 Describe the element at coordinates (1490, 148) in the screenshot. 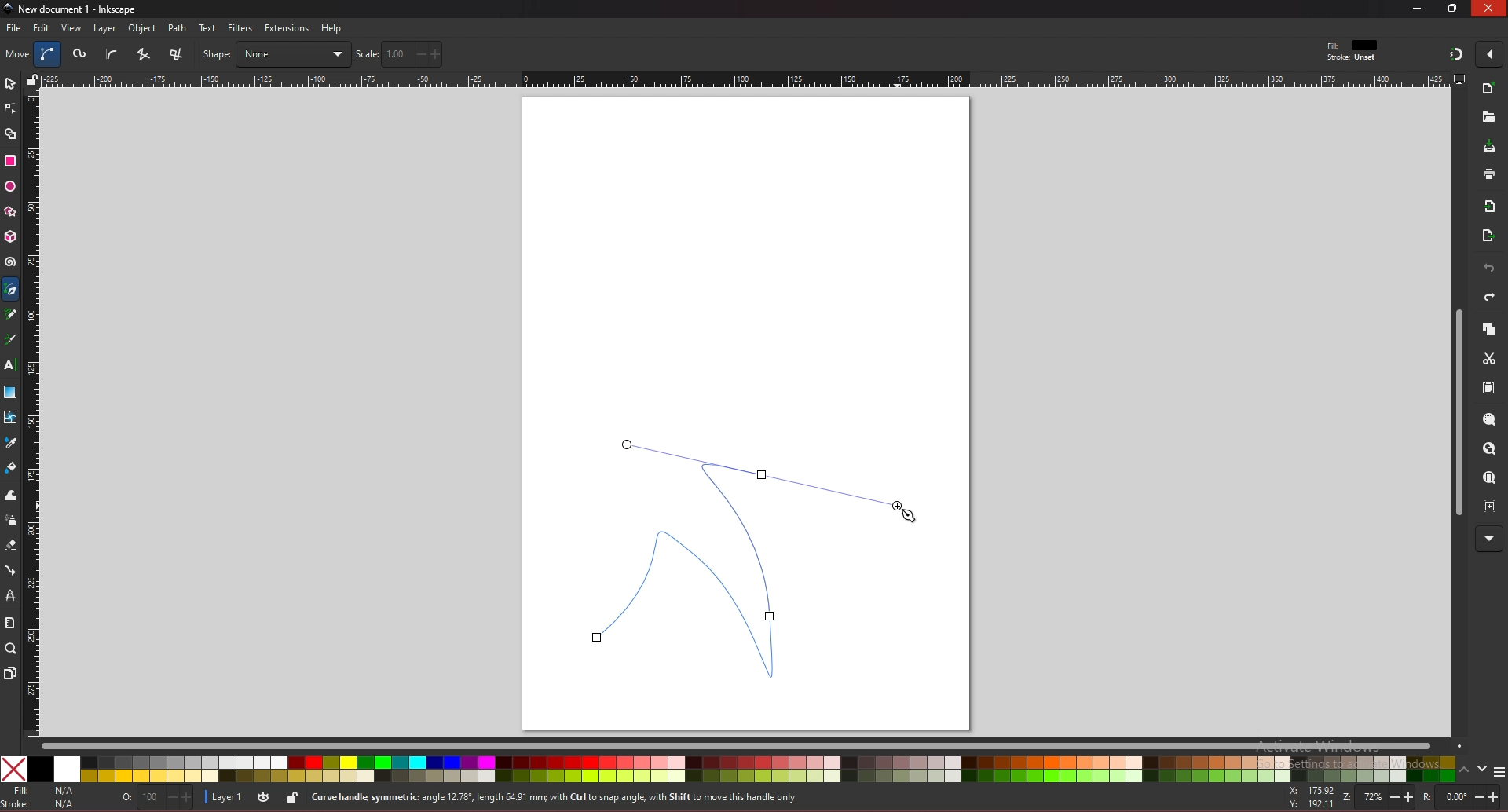

I see `save` at that location.